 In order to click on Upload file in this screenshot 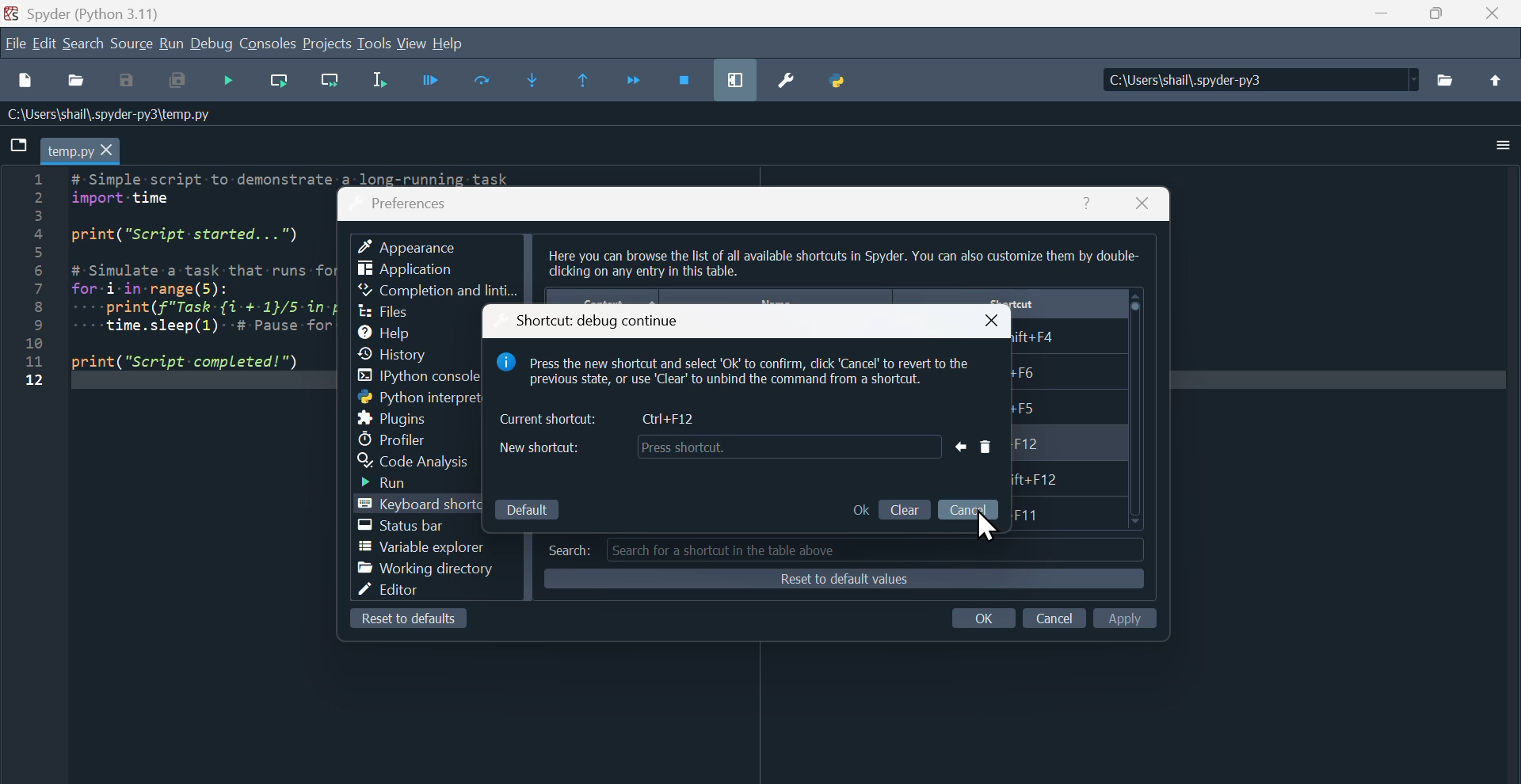, I will do `click(1501, 79)`.